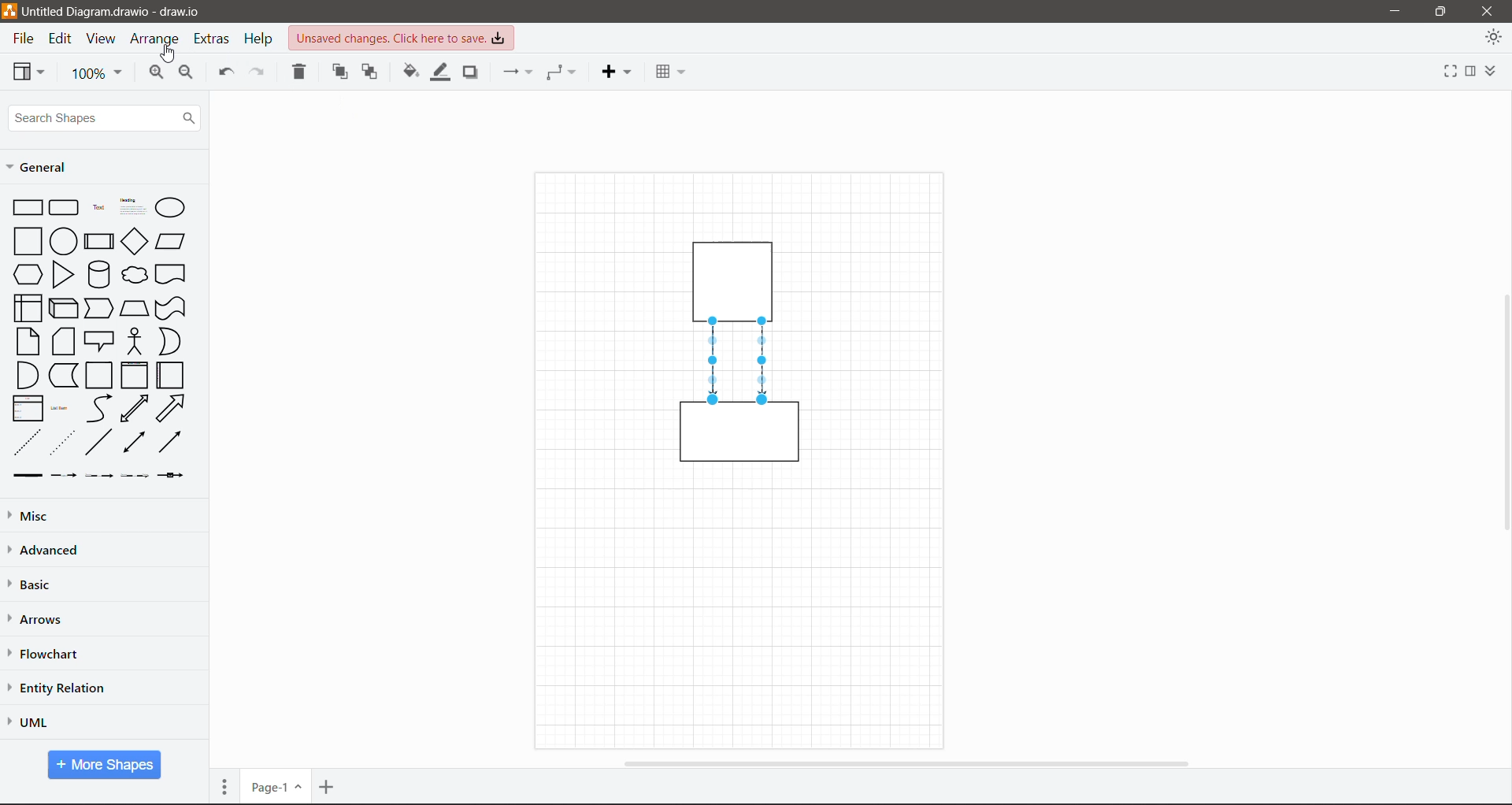 This screenshot has width=1512, height=805. I want to click on Horizontal Container, so click(171, 375).